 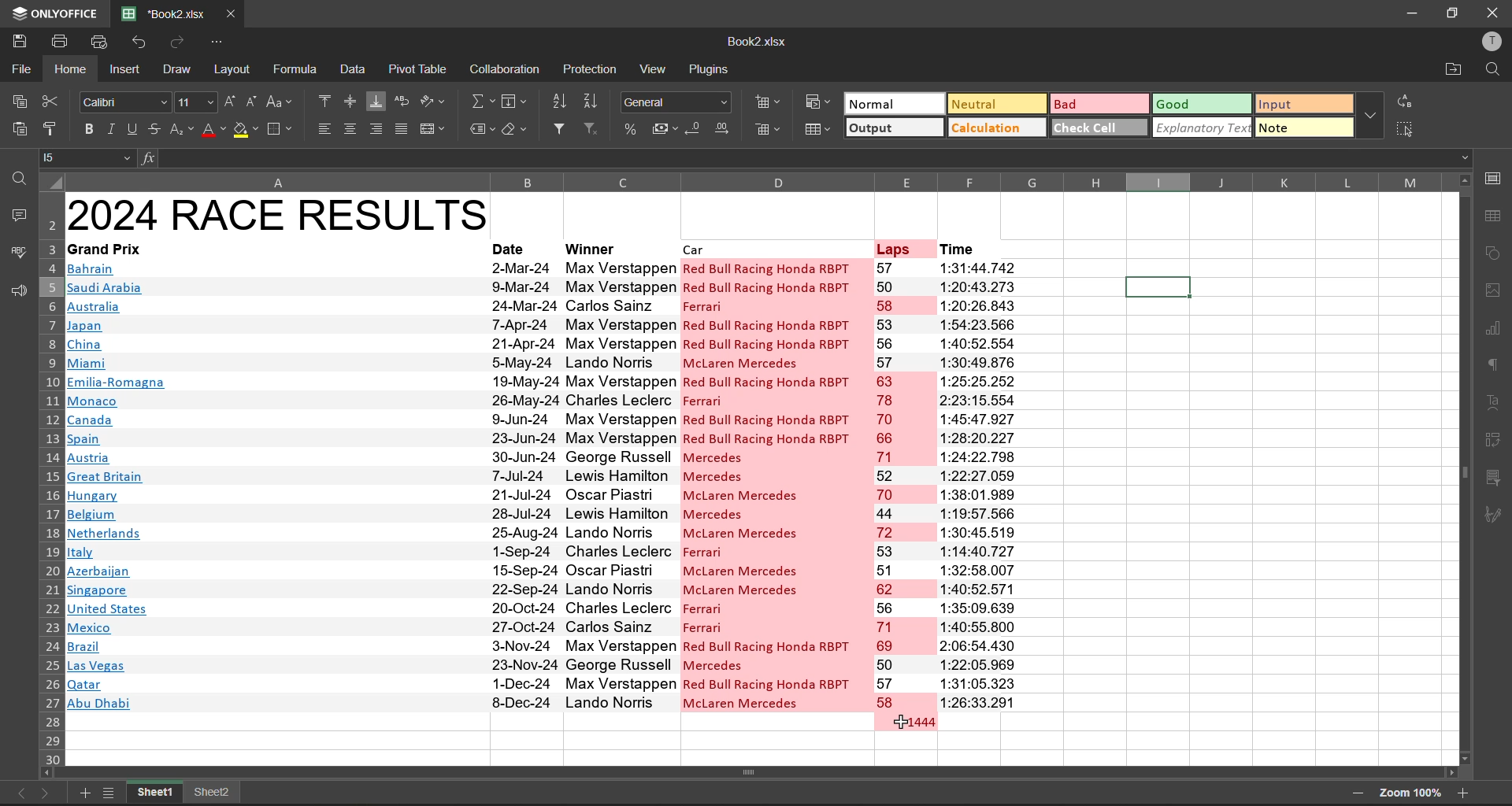 What do you see at coordinates (98, 41) in the screenshot?
I see `quick print` at bounding box center [98, 41].